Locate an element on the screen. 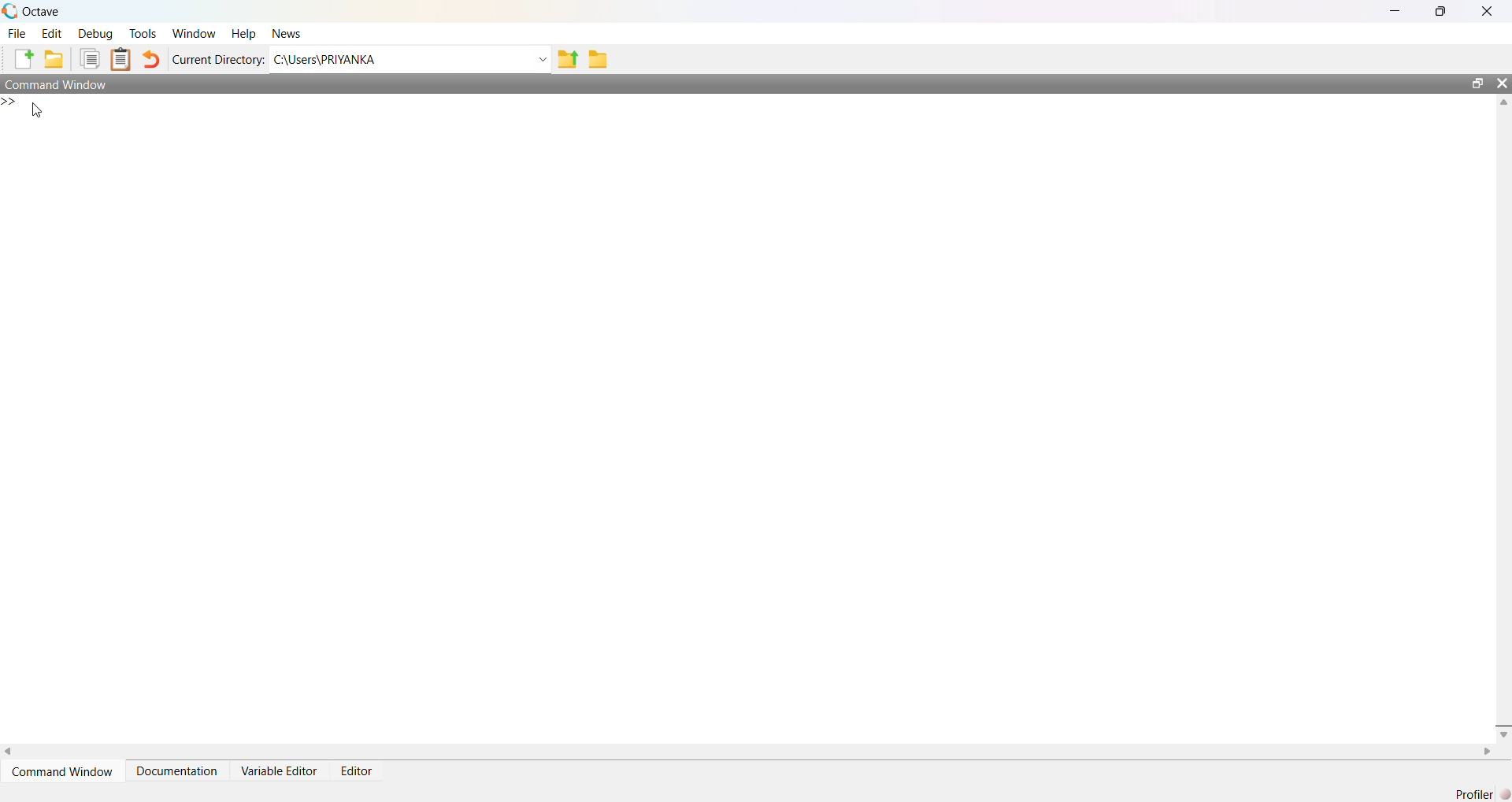 The height and width of the screenshot is (802, 1512). close is located at coordinates (1490, 10).